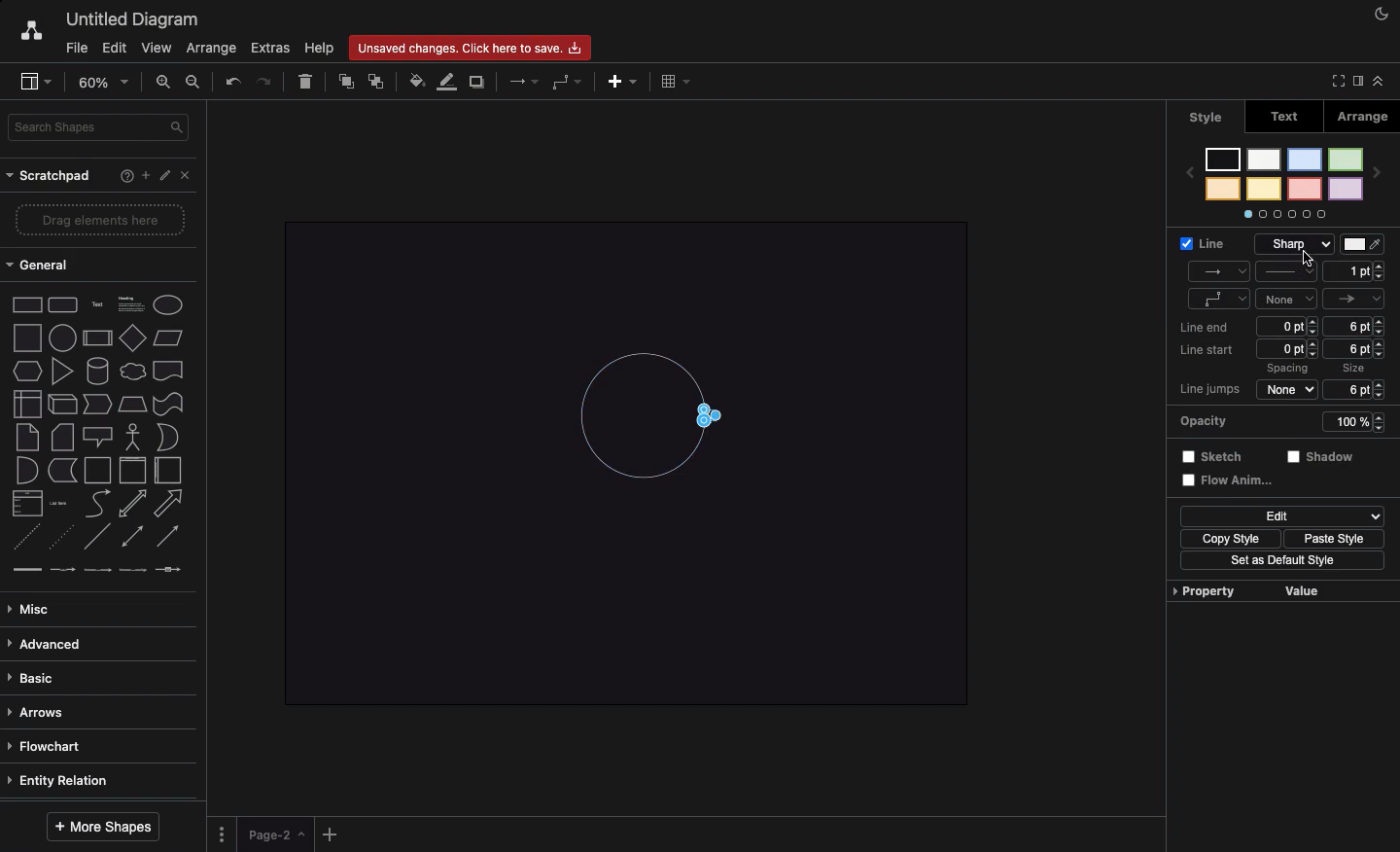  I want to click on Loop connector selected, so click(716, 413).